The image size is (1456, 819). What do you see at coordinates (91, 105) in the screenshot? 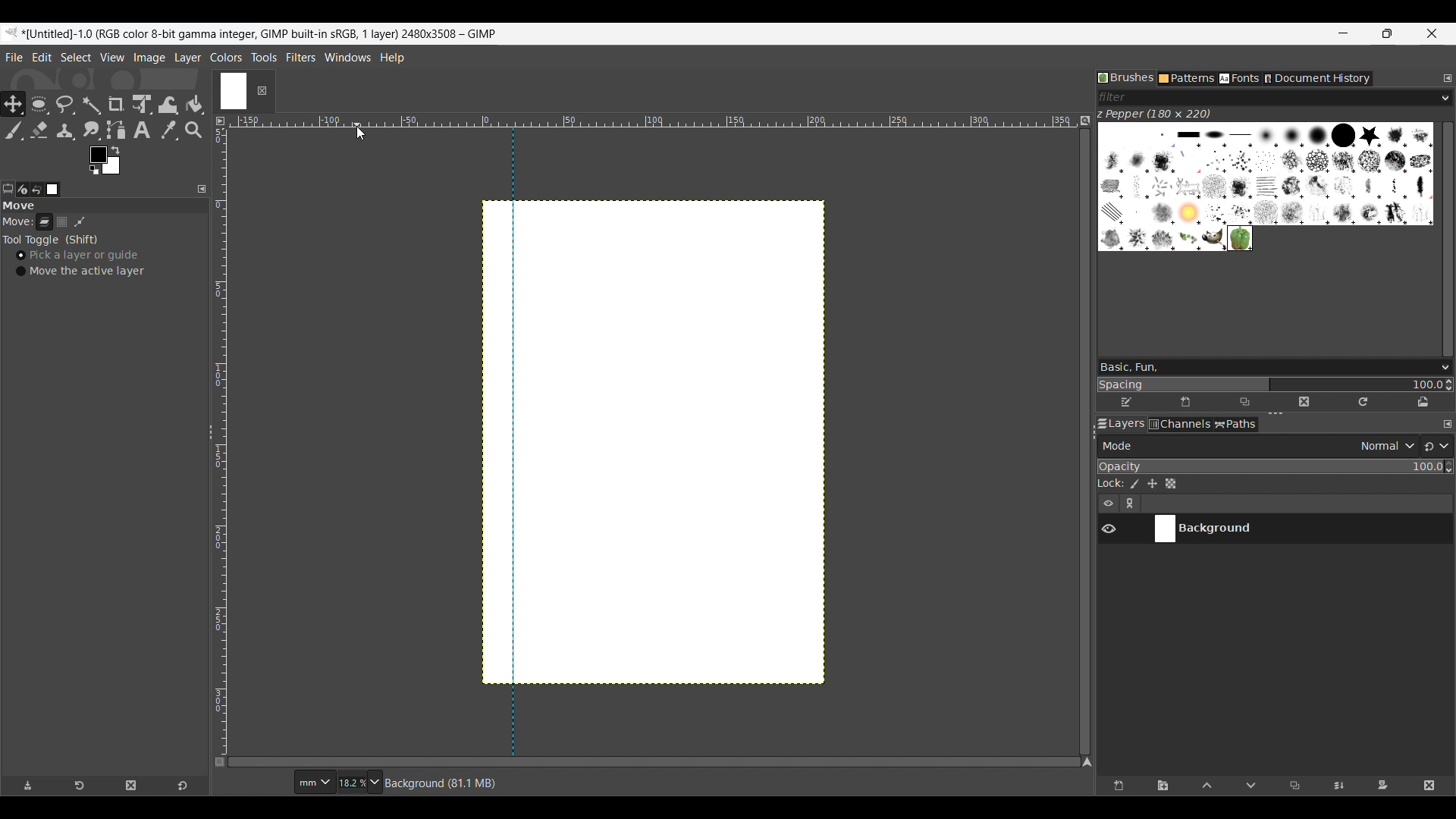
I see `Fuzzy select tool` at bounding box center [91, 105].